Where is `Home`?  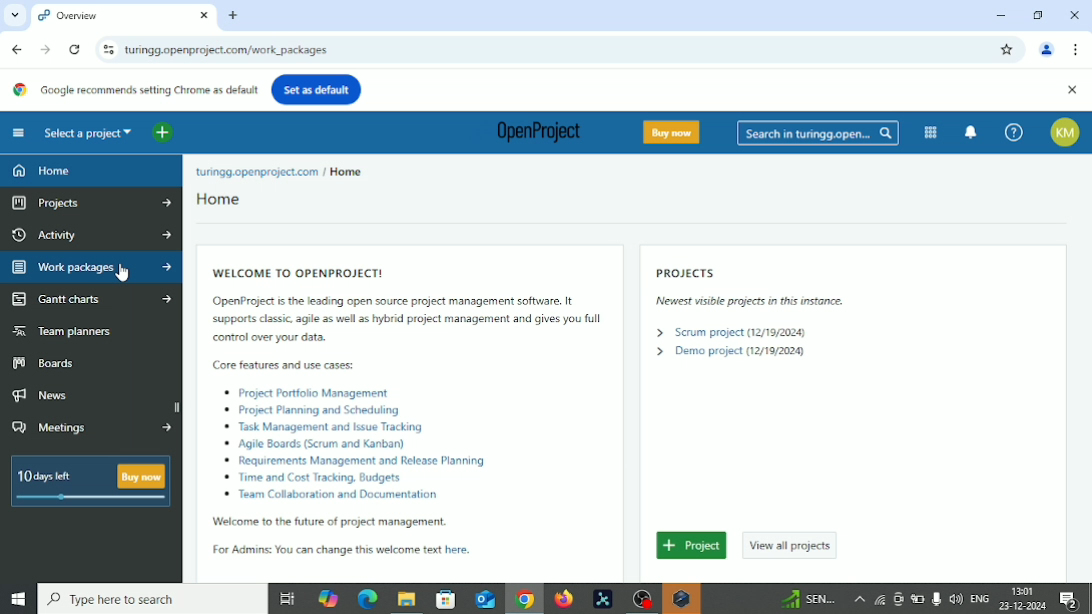 Home is located at coordinates (347, 171).